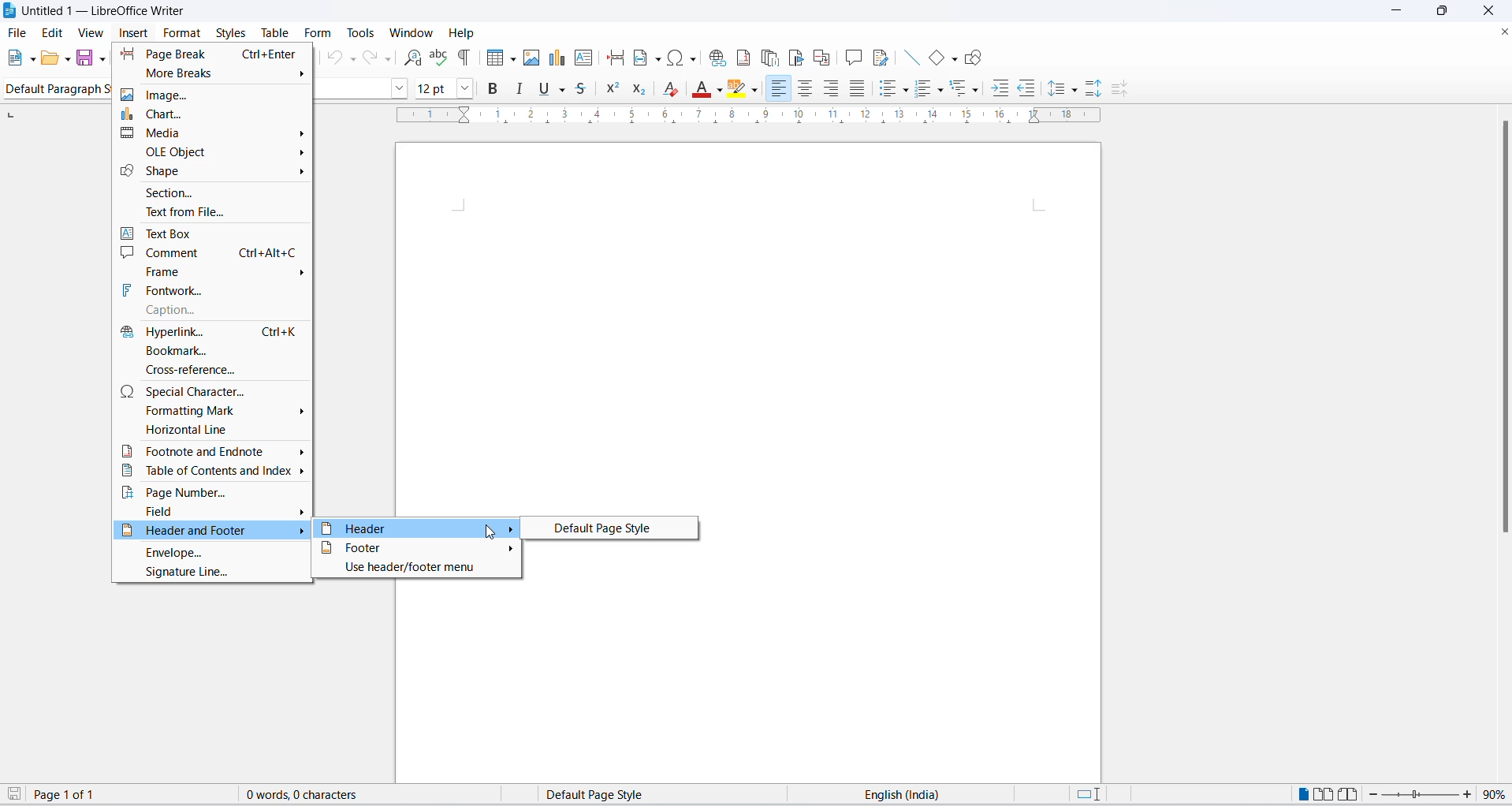 Image resolution: width=1512 pixels, height=806 pixels. I want to click on more breaks, so click(211, 75).